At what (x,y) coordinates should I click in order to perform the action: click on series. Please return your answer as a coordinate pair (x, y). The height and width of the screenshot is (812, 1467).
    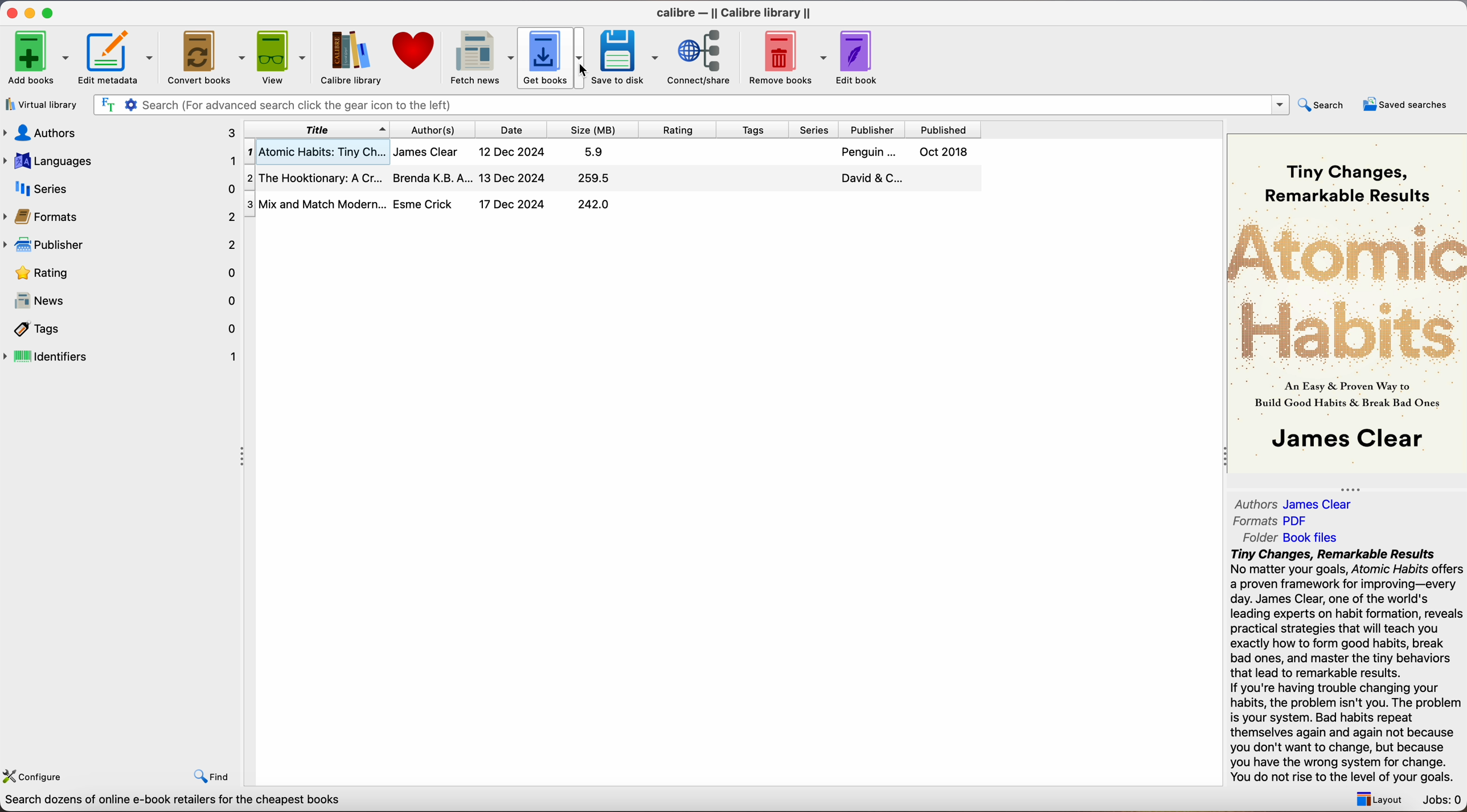
    Looking at the image, I should click on (121, 188).